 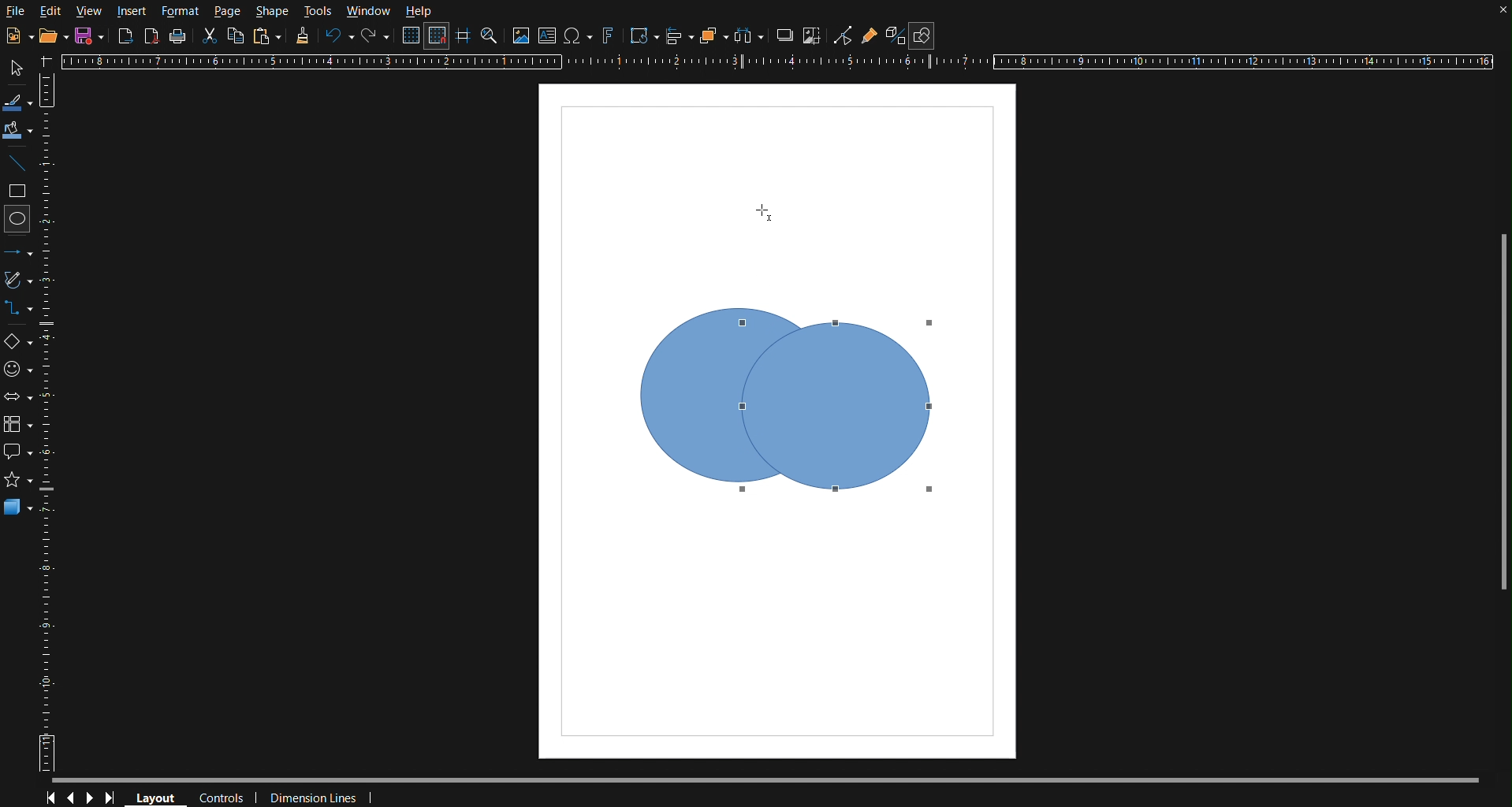 I want to click on Box Arrows, so click(x=18, y=402).